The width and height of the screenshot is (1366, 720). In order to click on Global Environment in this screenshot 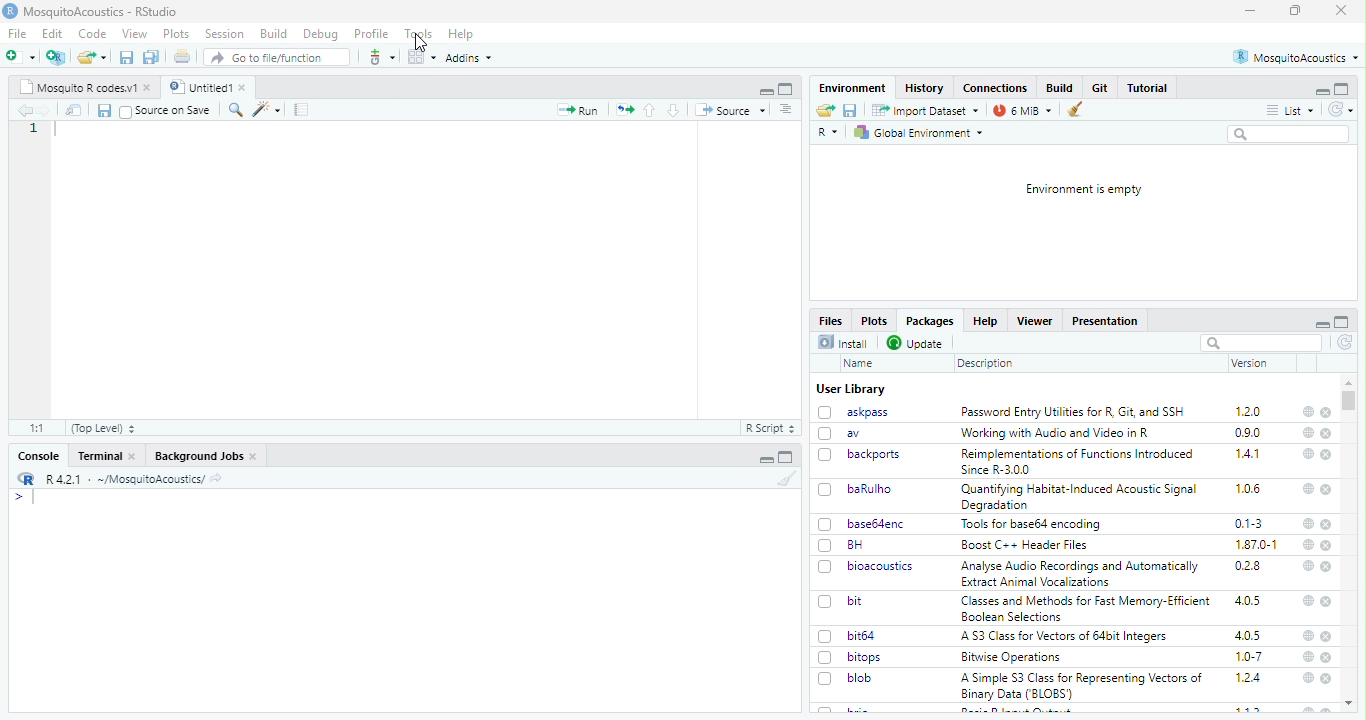, I will do `click(918, 133)`.